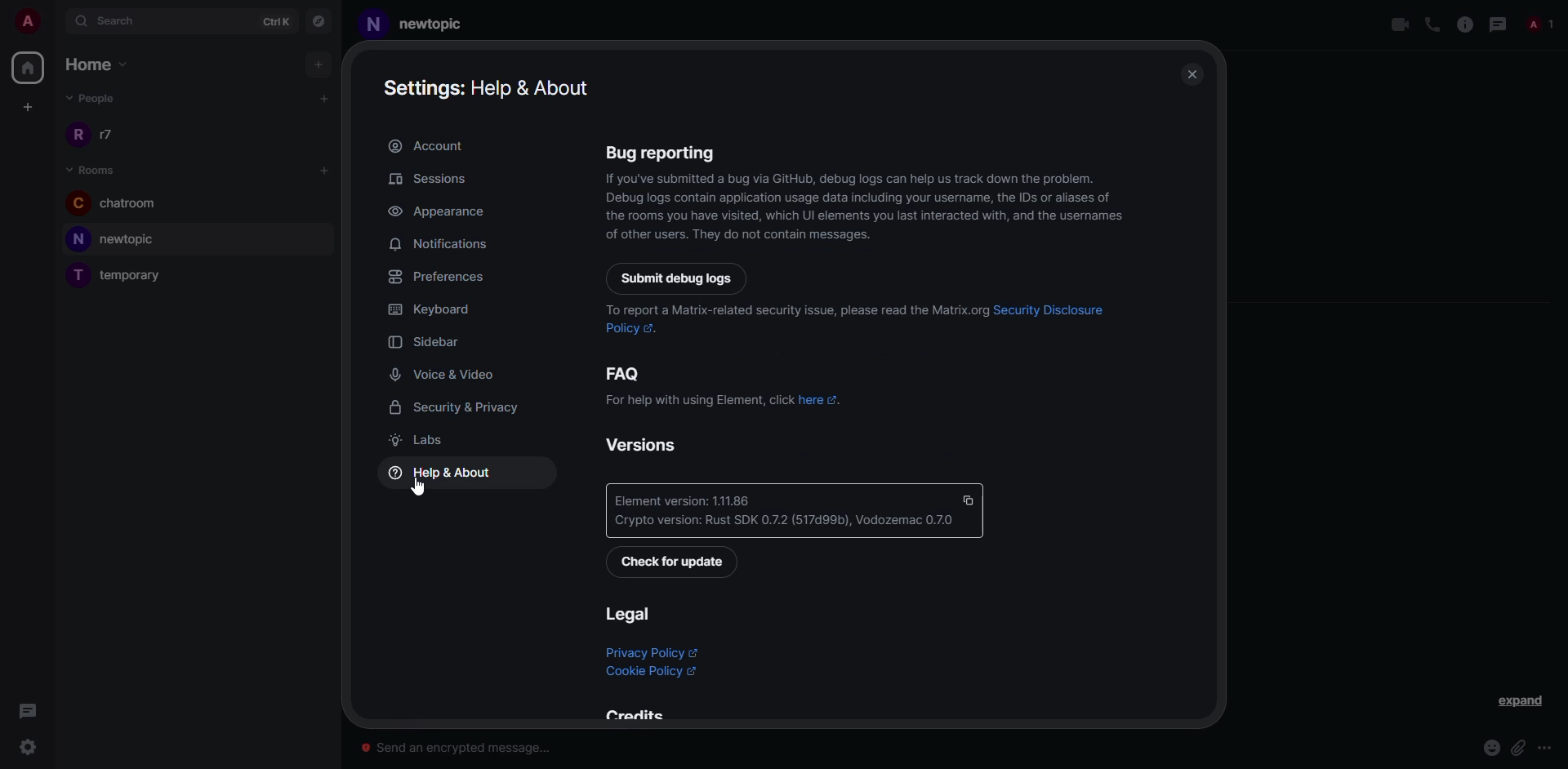 This screenshot has height=769, width=1568. What do you see at coordinates (671, 562) in the screenshot?
I see `check for update` at bounding box center [671, 562].